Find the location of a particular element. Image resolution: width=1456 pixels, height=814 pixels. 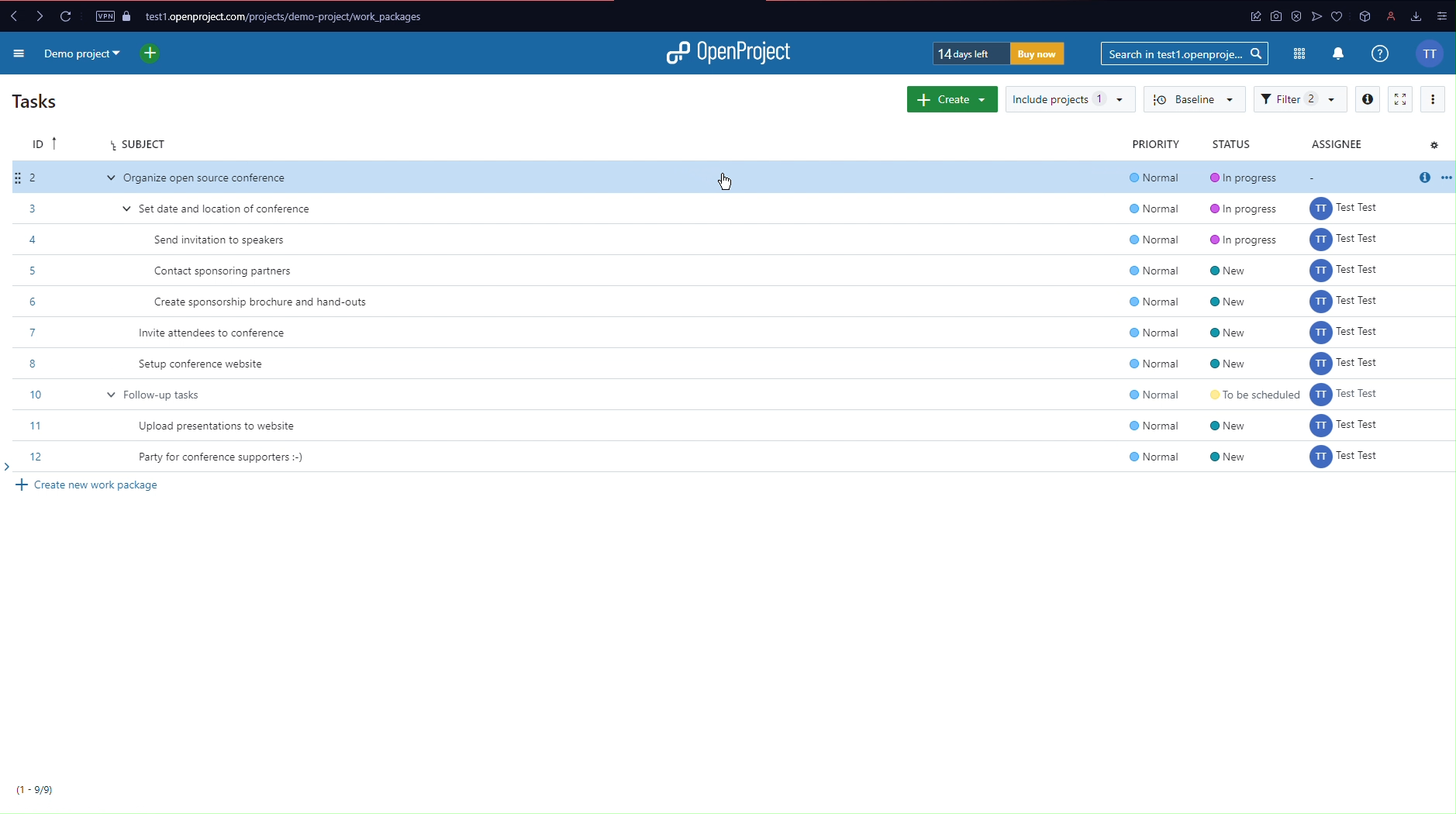

options is located at coordinates (1444, 178).